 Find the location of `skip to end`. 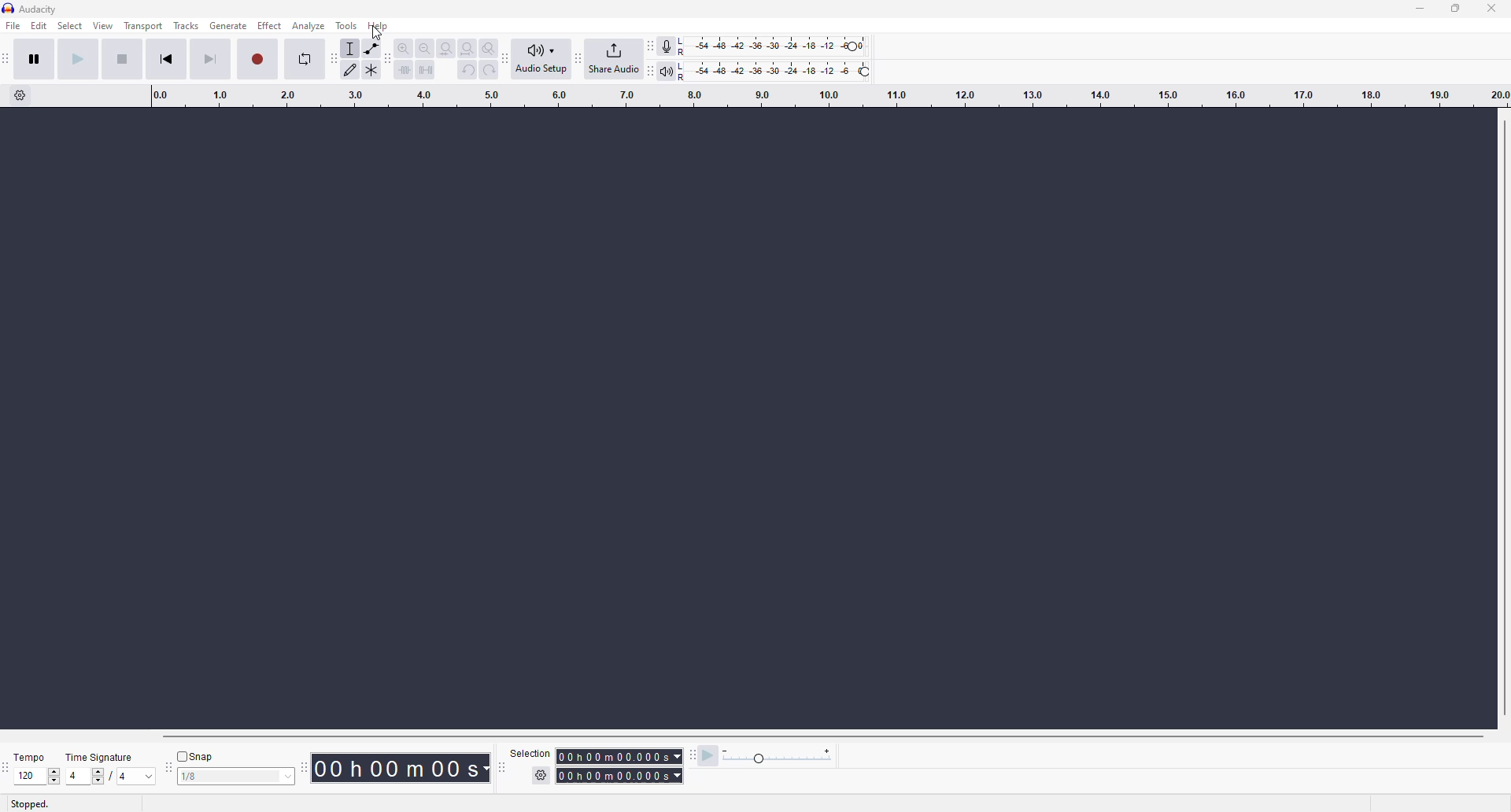

skip to end is located at coordinates (210, 58).